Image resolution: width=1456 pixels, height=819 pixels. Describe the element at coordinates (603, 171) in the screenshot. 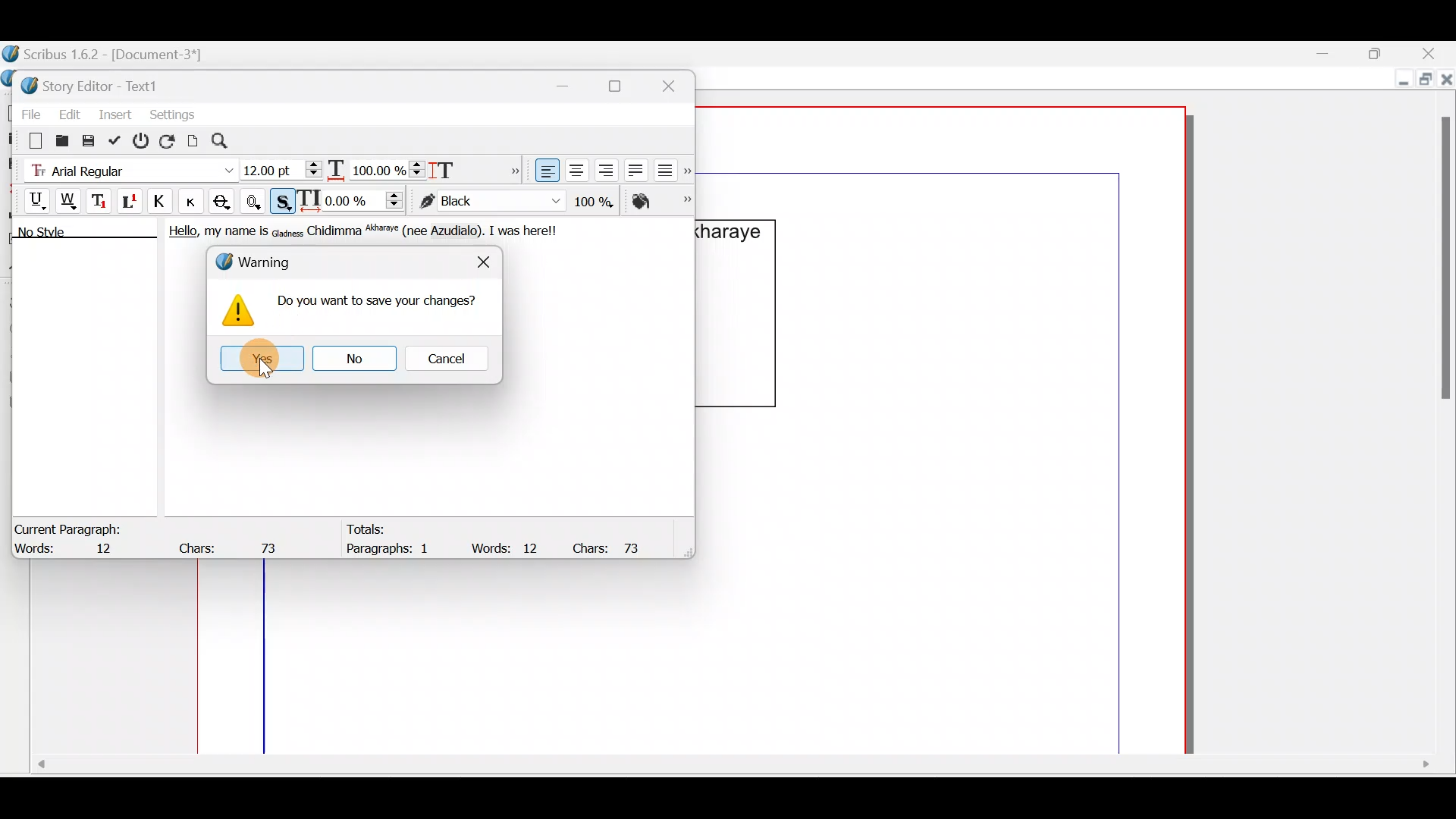

I see `Align text right` at that location.